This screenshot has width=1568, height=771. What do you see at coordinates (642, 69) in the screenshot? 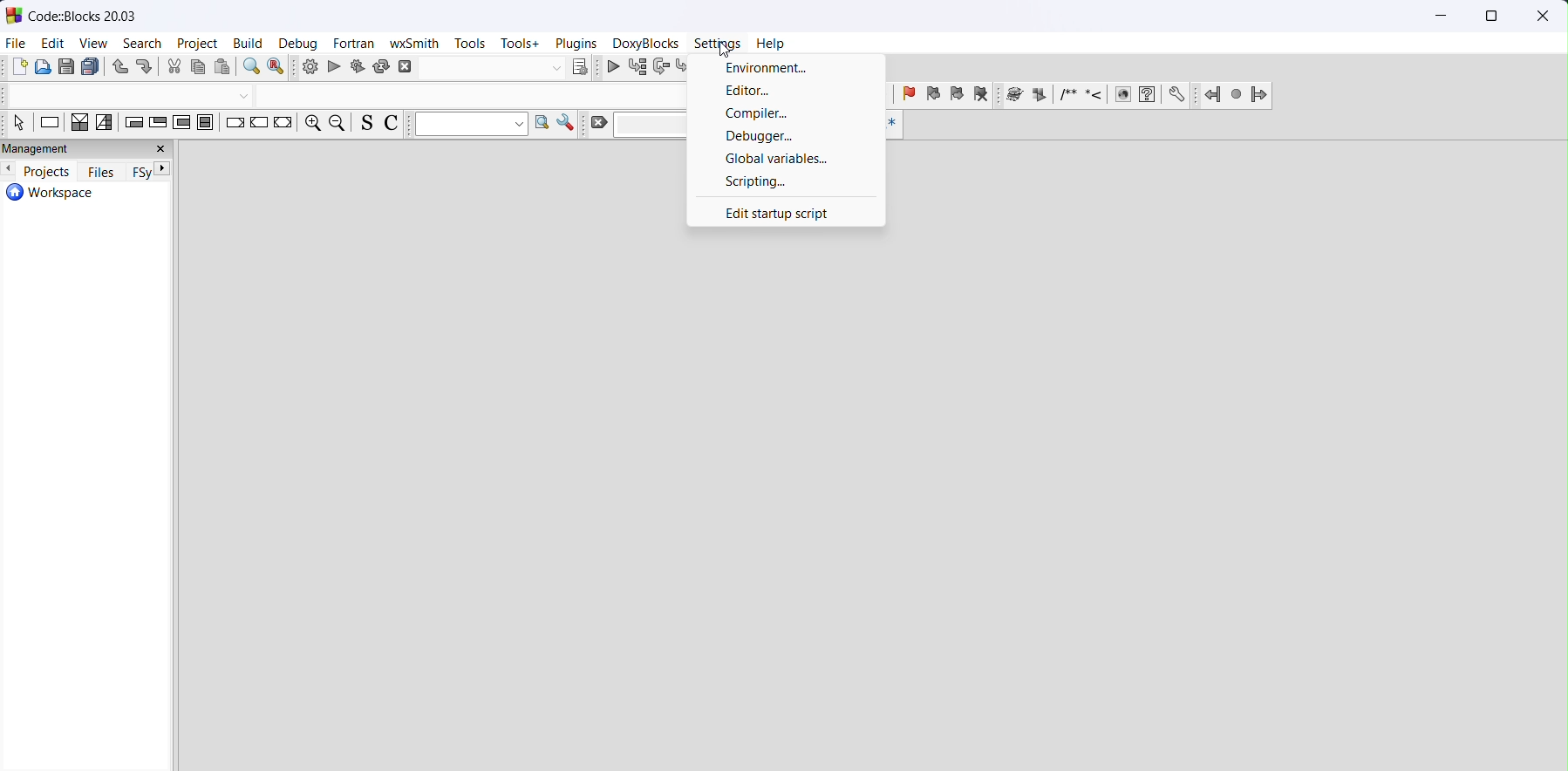
I see `run to cursor` at bounding box center [642, 69].